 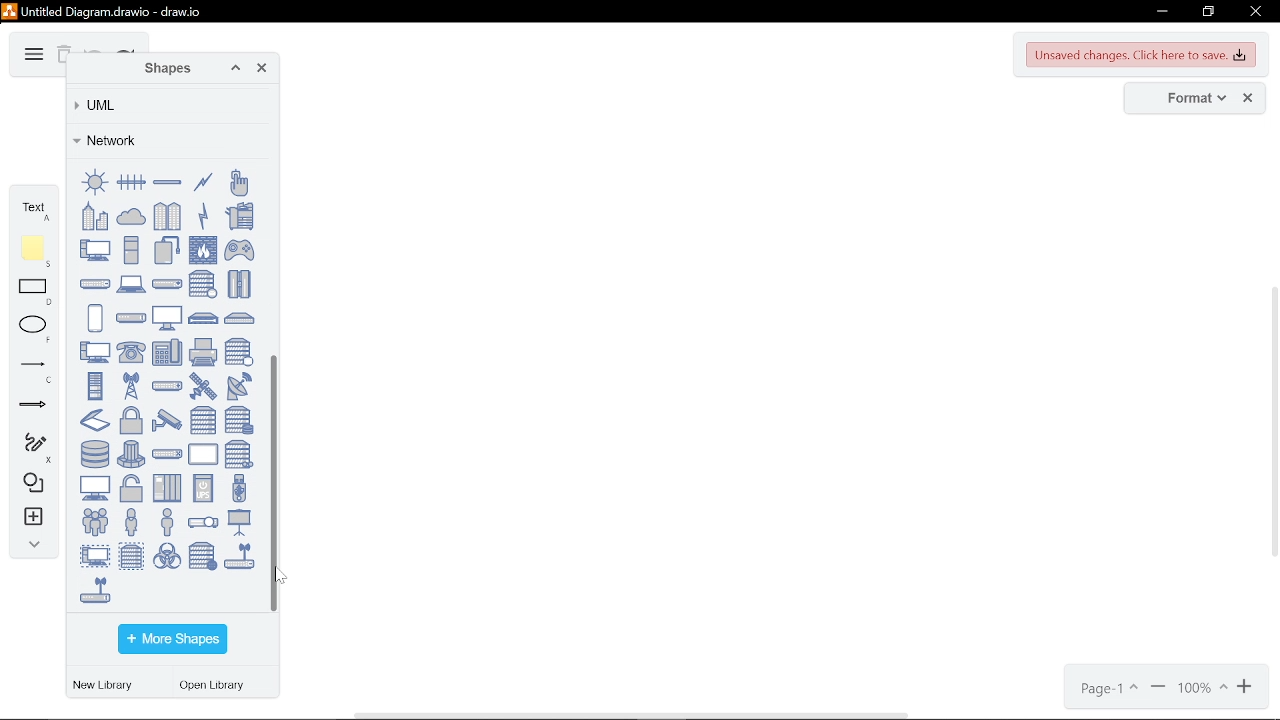 What do you see at coordinates (239, 488) in the screenshot?
I see `USB stick` at bounding box center [239, 488].